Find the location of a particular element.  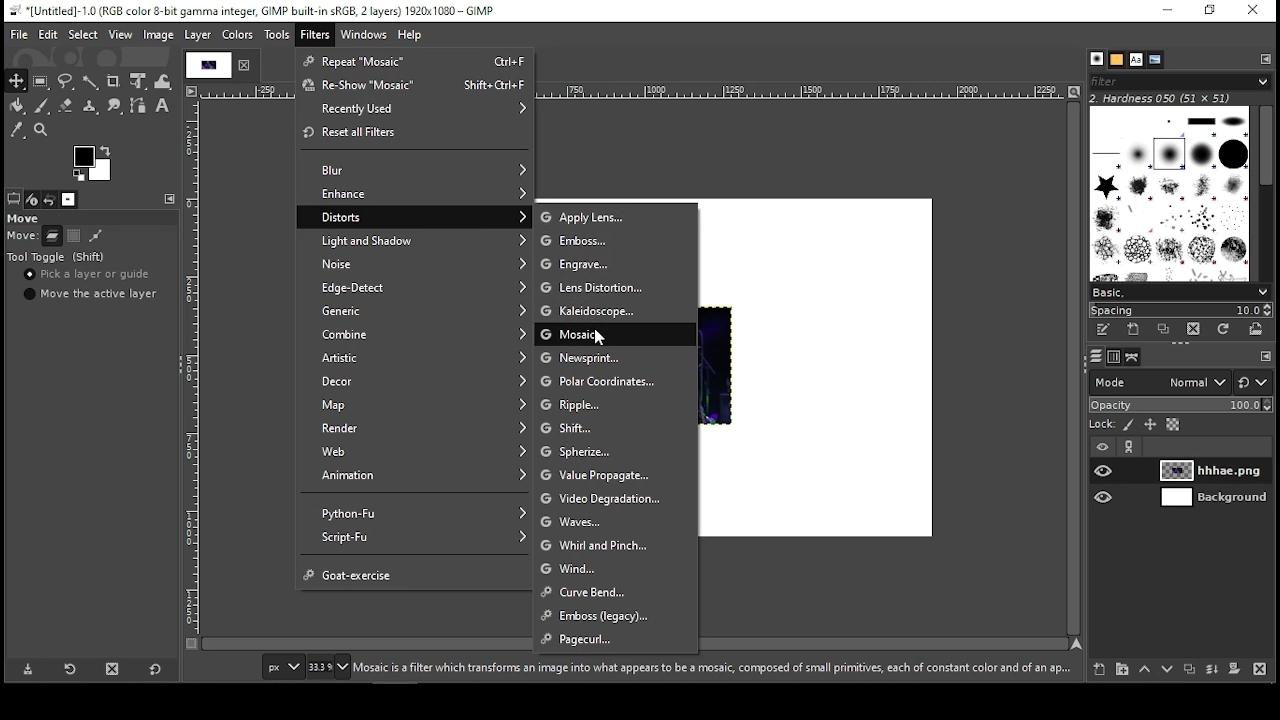

opacity is located at coordinates (1181, 405).